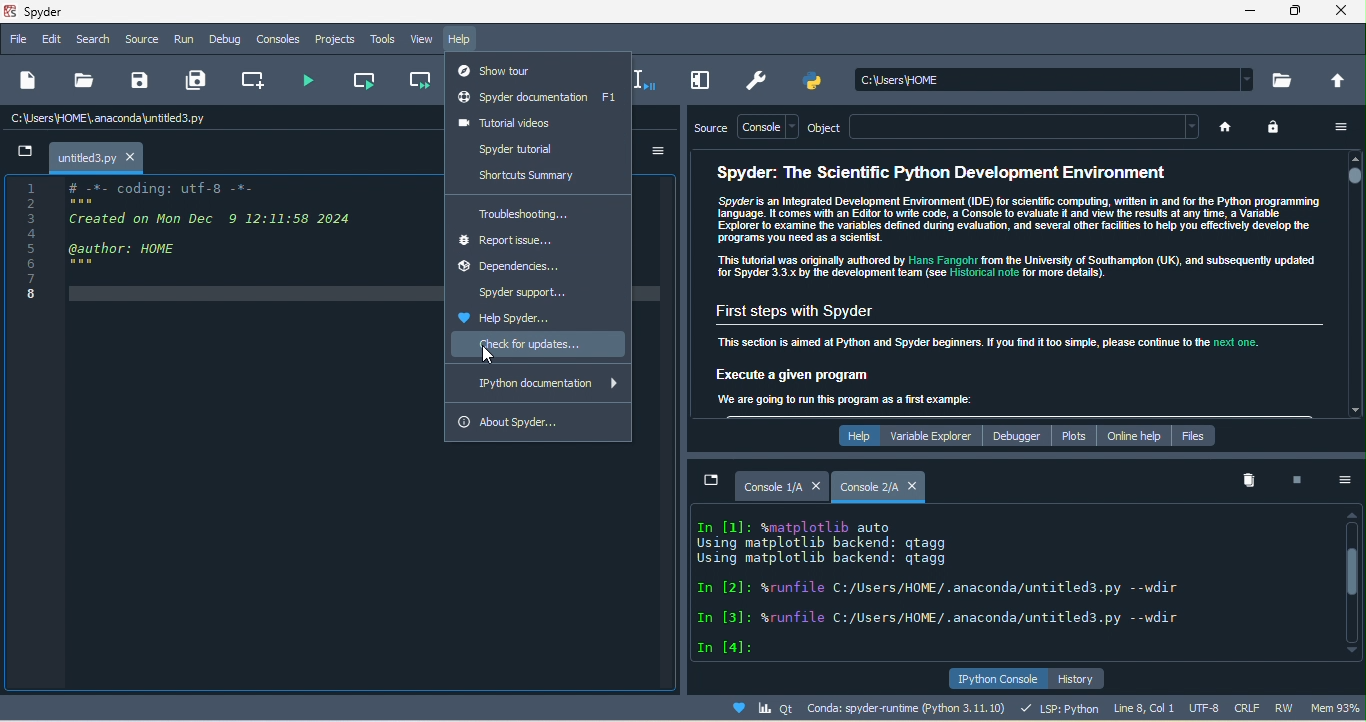  What do you see at coordinates (467, 39) in the screenshot?
I see `help` at bounding box center [467, 39].